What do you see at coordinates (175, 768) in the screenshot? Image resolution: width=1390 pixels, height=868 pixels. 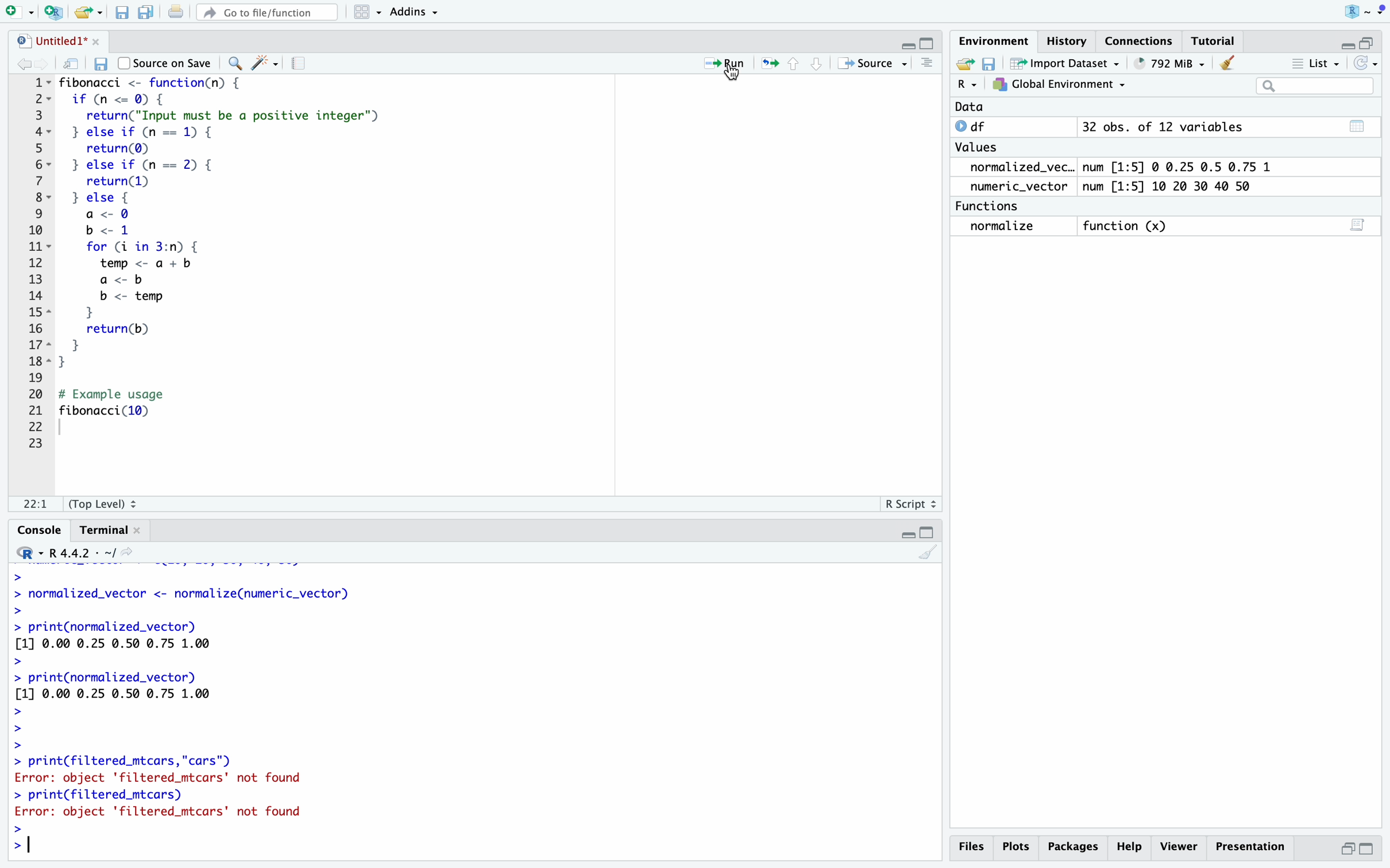 I see `> print(filtered_mtcars, cars”)
Error: object 'filtered_mtcars' not found` at bounding box center [175, 768].